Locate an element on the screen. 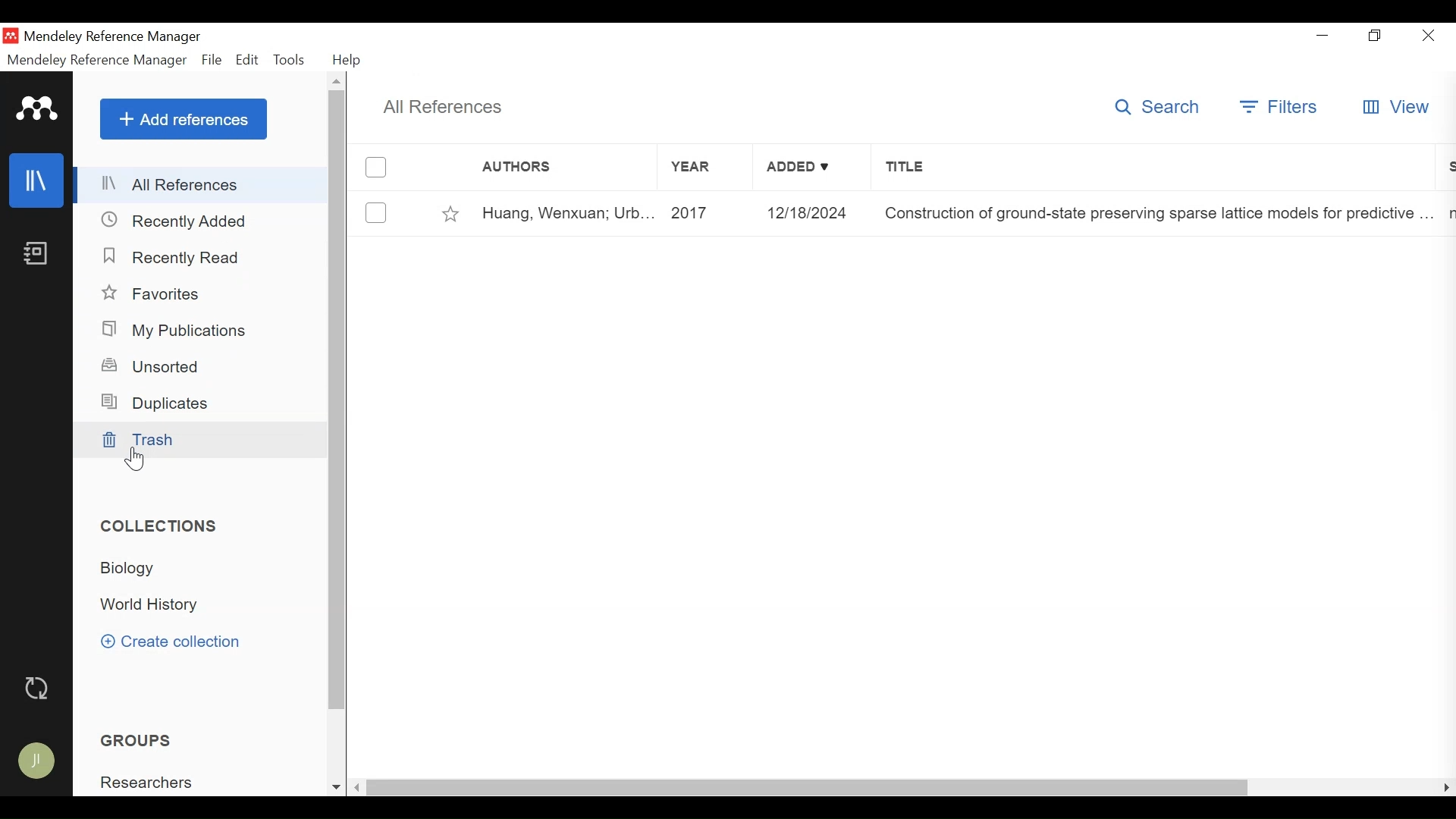 The height and width of the screenshot is (819, 1456). Sync is located at coordinates (39, 688).